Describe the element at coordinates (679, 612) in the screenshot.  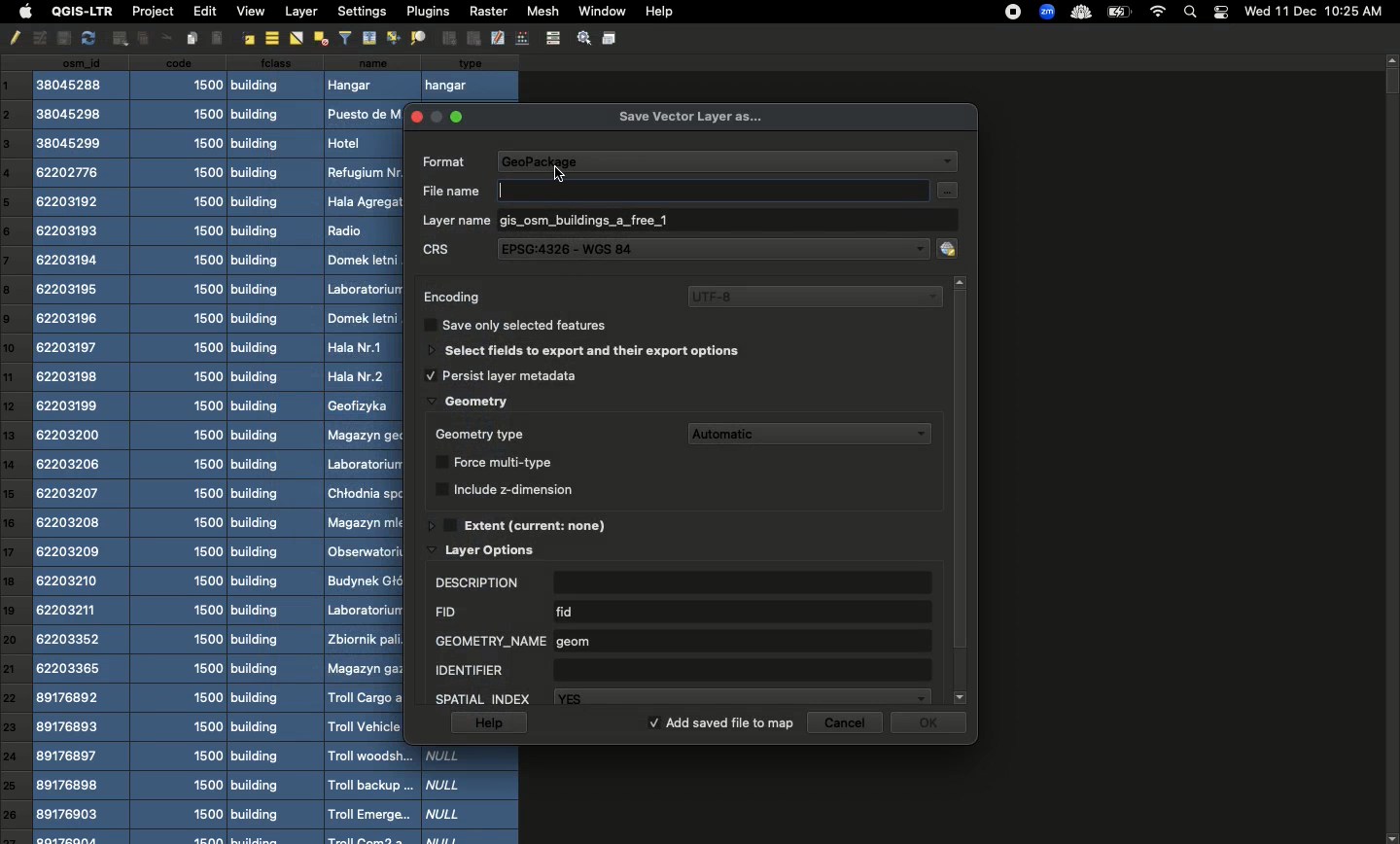
I see `FID` at that location.